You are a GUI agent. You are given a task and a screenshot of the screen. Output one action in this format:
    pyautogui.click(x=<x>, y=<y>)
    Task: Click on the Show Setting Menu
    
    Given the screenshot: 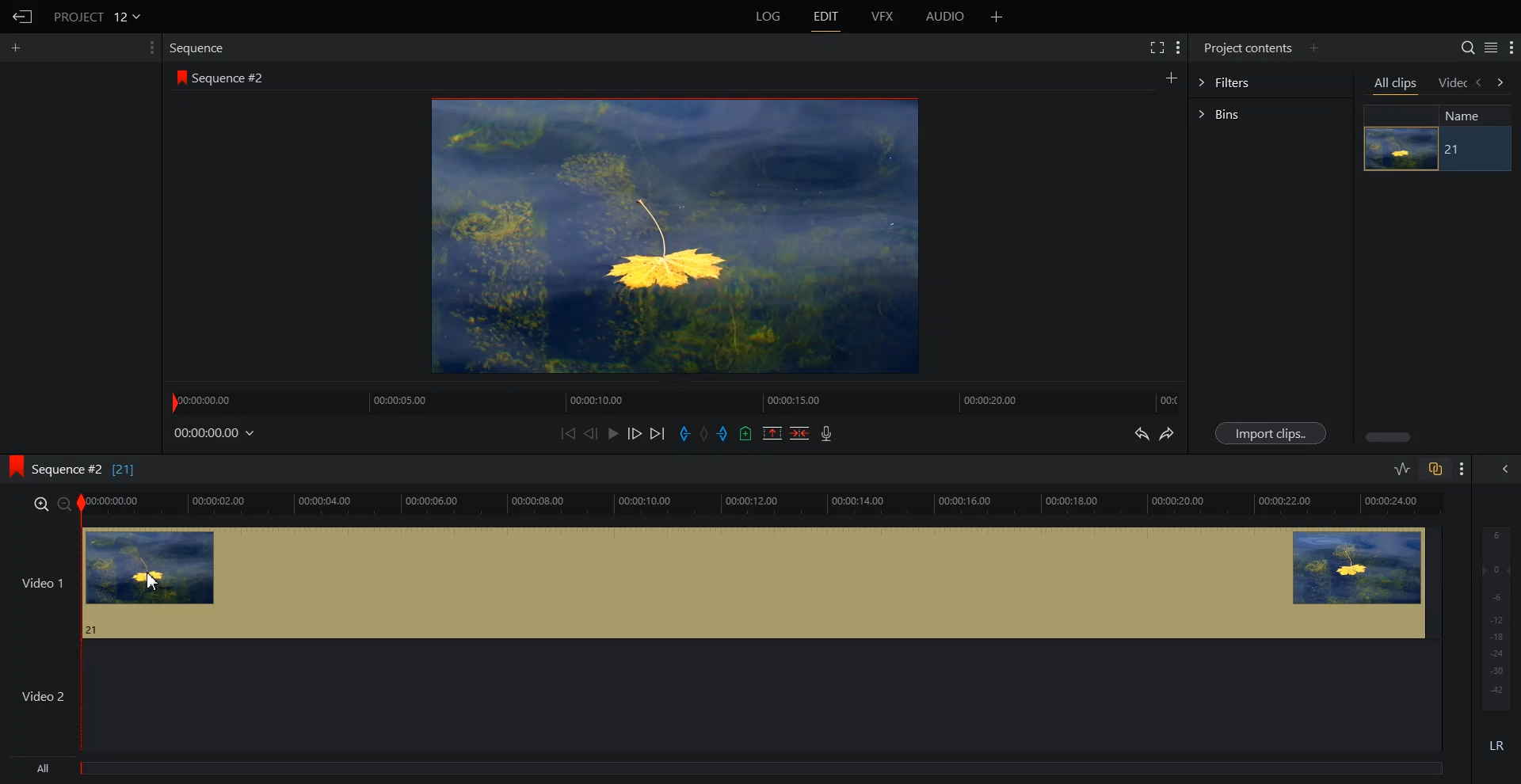 What is the action you would take?
    pyautogui.click(x=1511, y=48)
    